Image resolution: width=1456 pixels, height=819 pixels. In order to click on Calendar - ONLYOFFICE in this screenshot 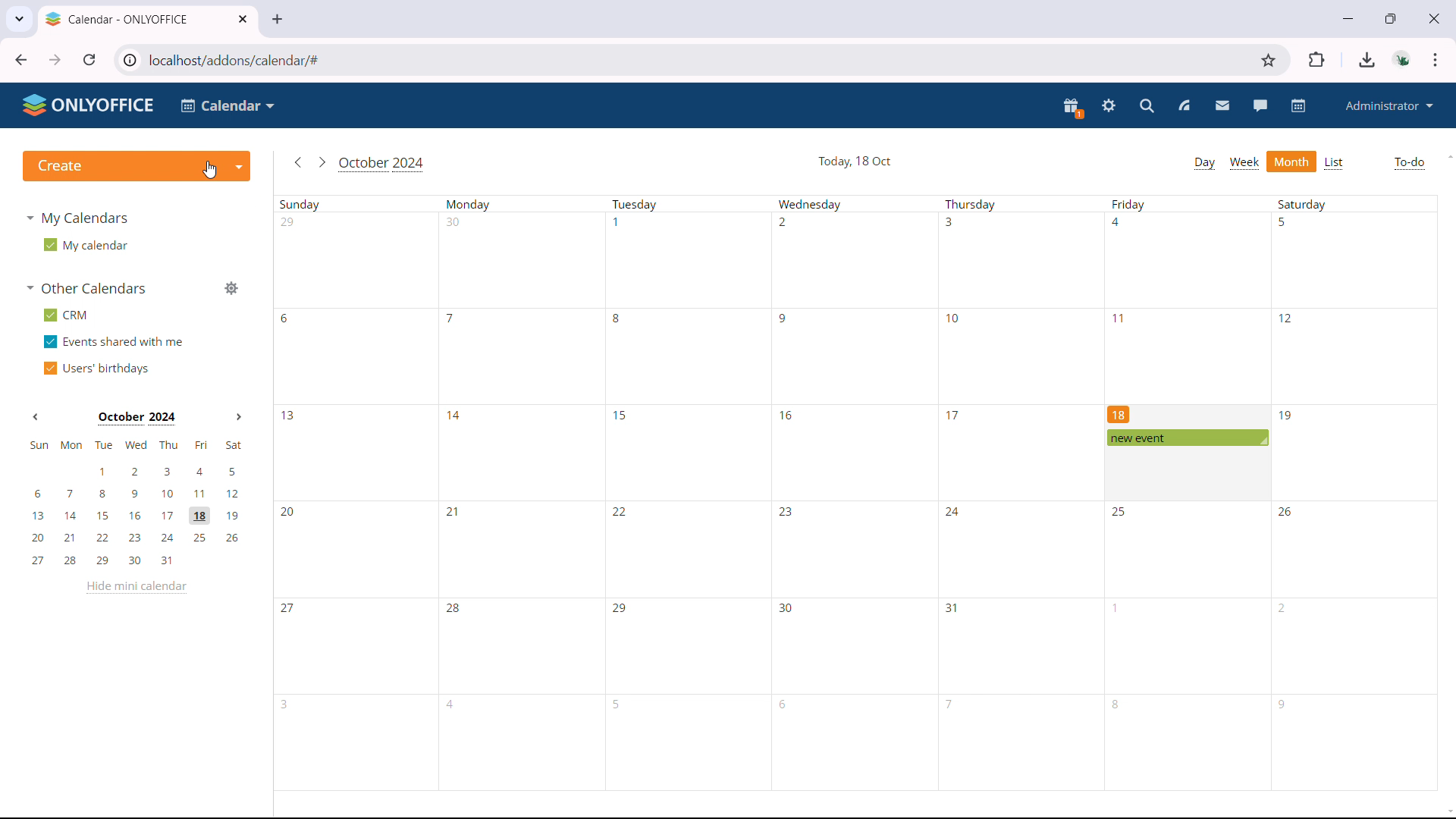, I will do `click(118, 19)`.